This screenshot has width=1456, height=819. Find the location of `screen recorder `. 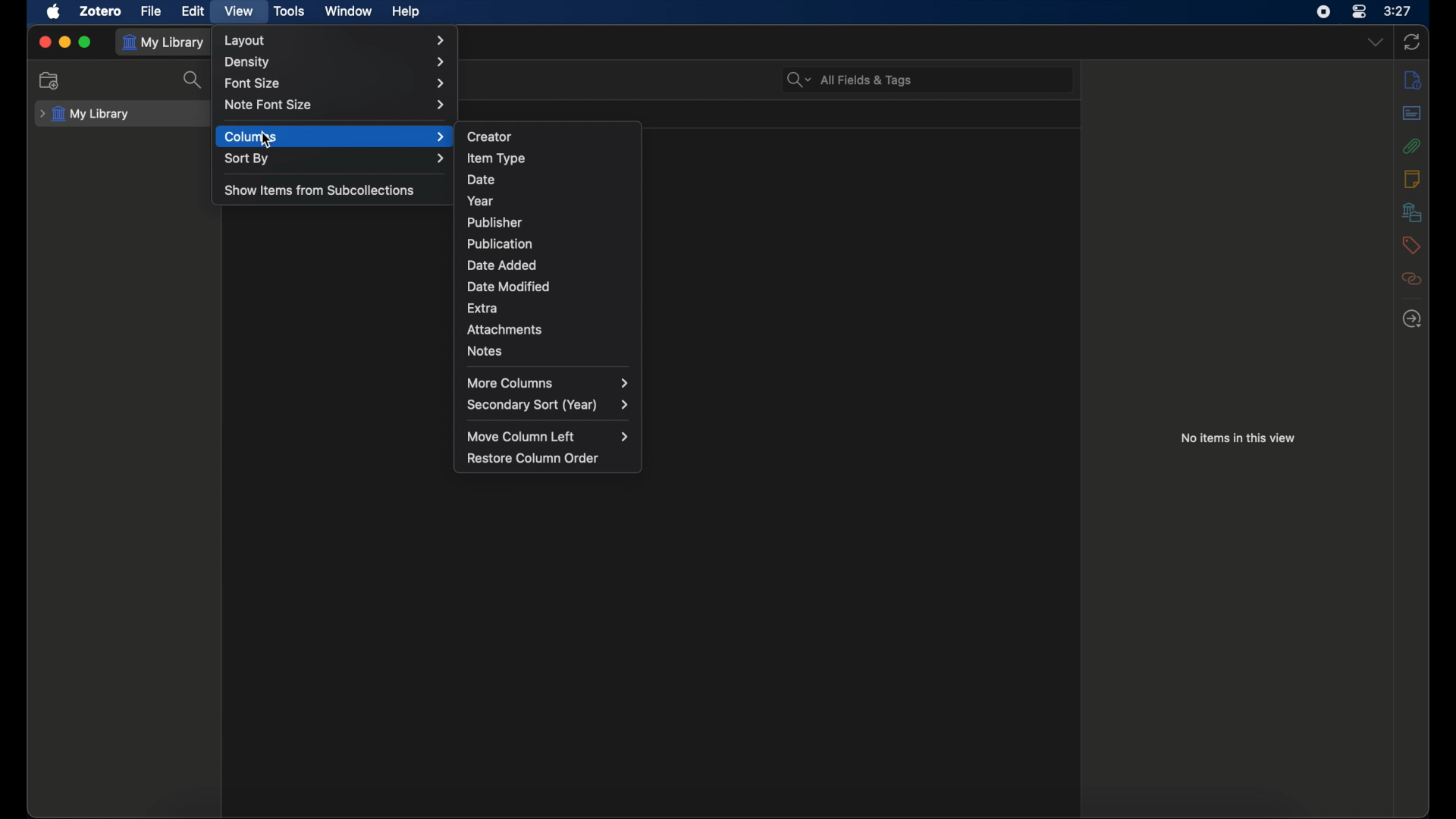

screen recorder  is located at coordinates (1323, 11).